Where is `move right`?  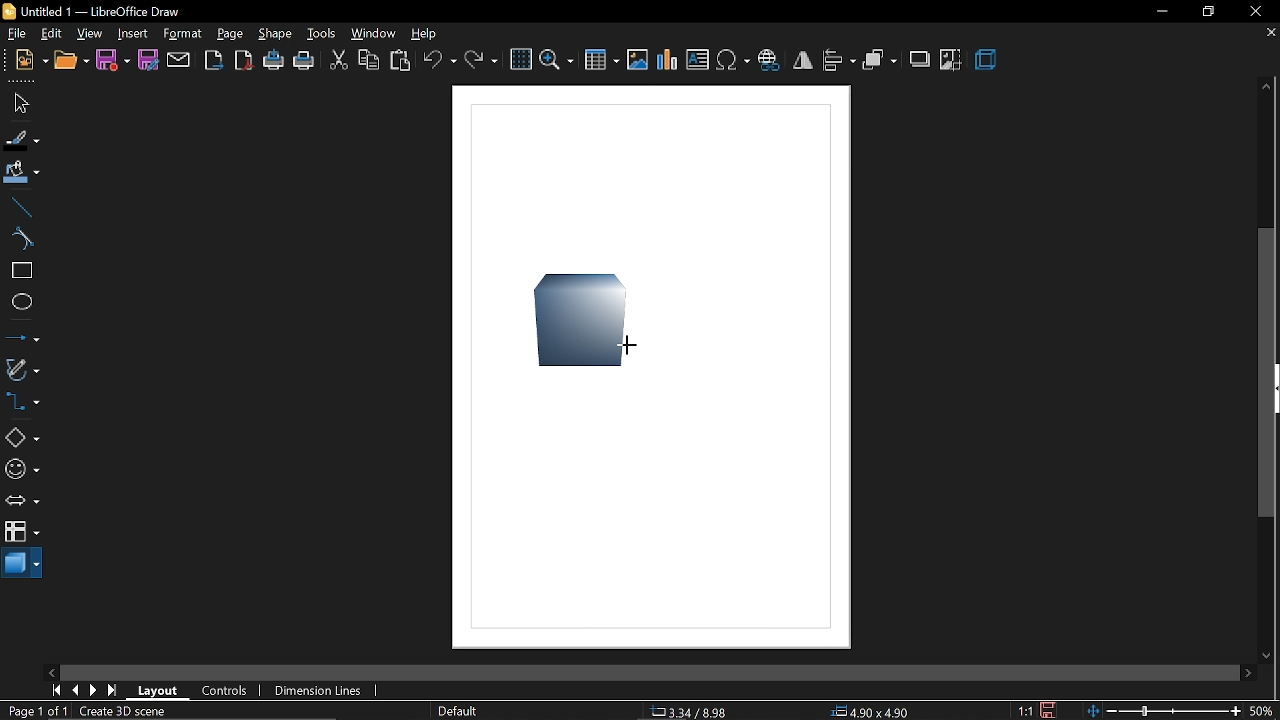 move right is located at coordinates (1251, 675).